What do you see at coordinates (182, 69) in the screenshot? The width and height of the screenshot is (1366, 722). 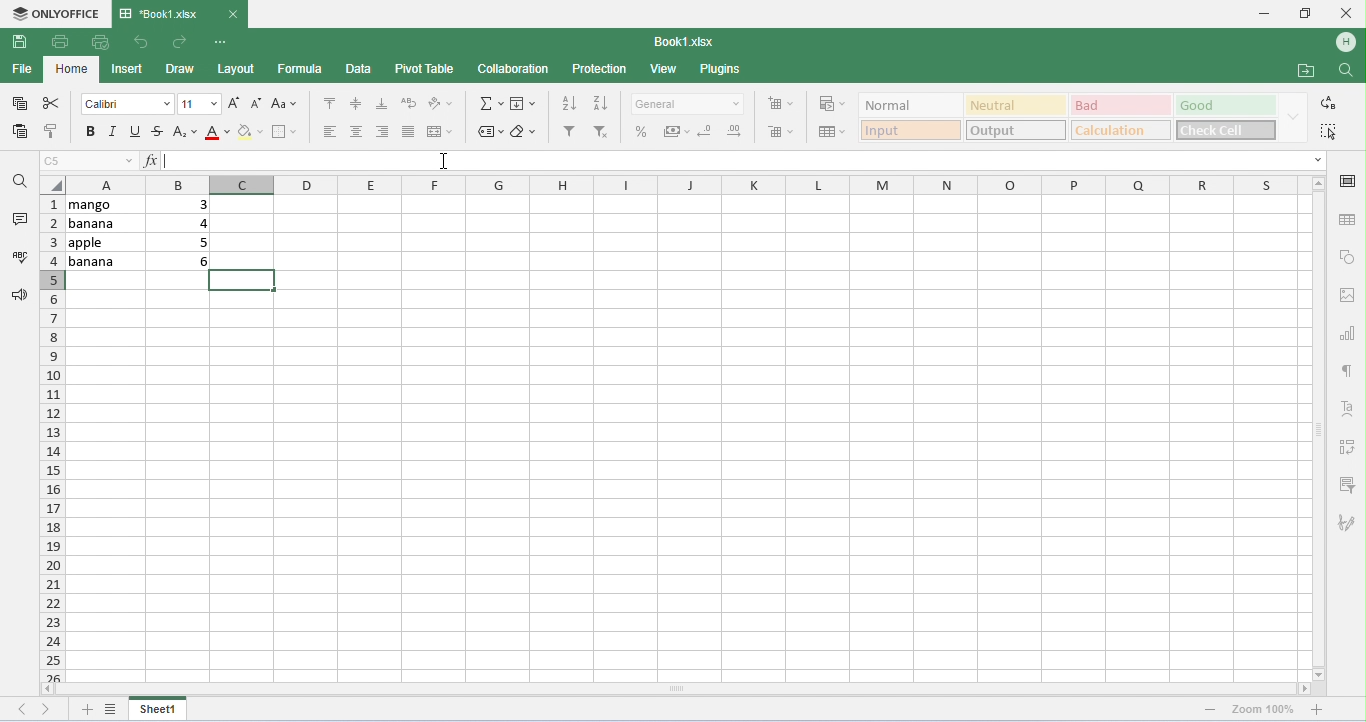 I see `draw` at bounding box center [182, 69].